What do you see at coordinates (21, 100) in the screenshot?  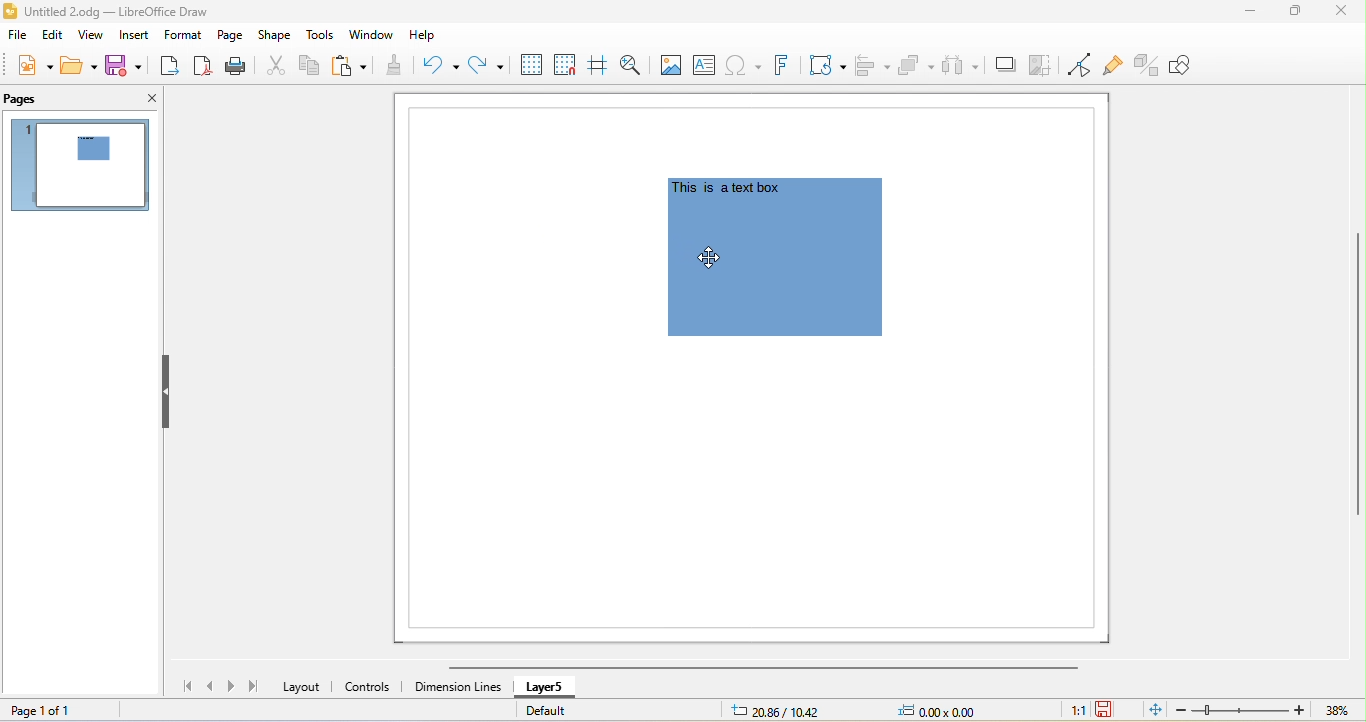 I see `pages` at bounding box center [21, 100].